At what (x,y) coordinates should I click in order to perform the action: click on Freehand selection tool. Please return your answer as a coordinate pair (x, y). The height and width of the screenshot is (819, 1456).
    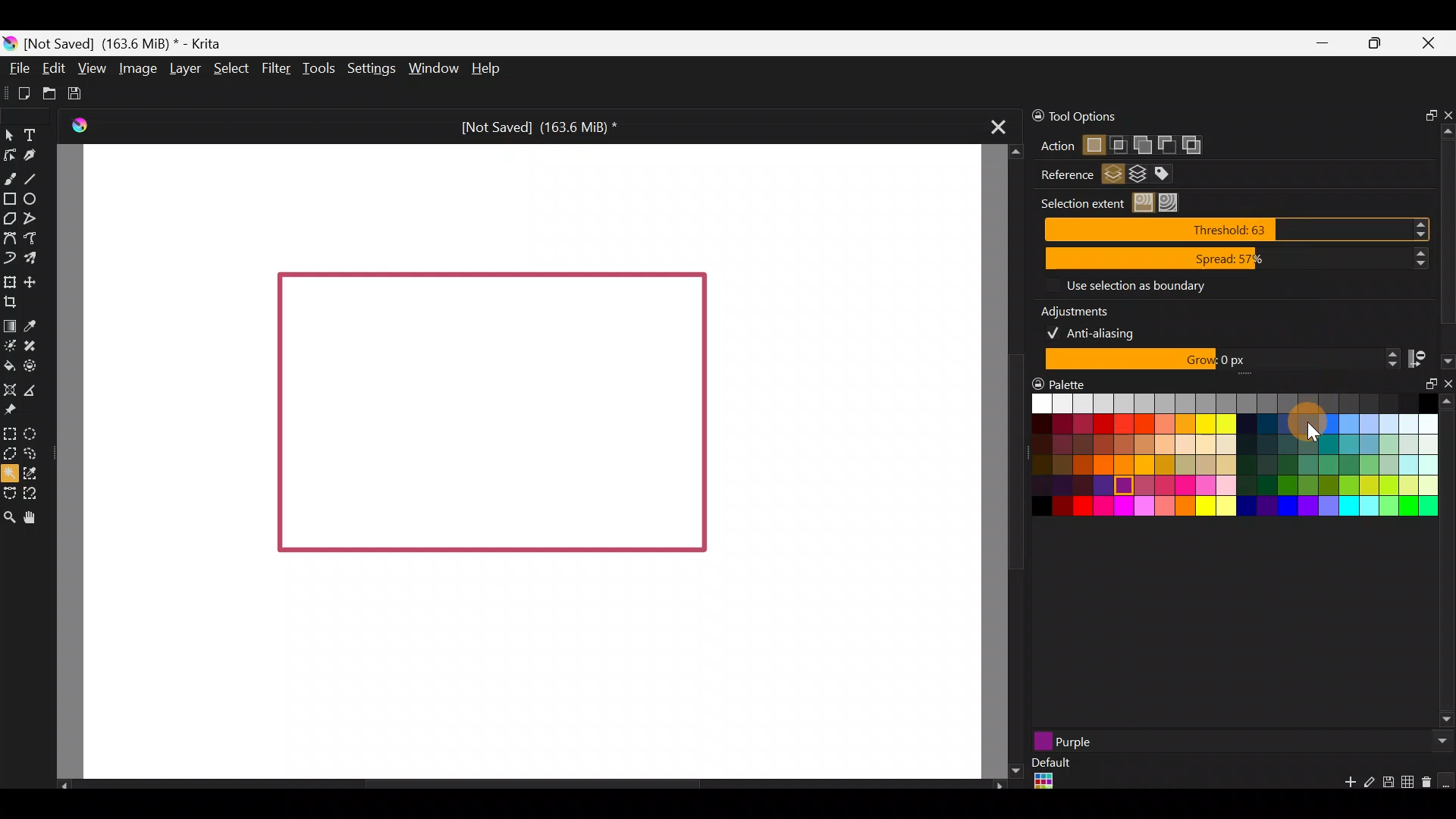
    Looking at the image, I should click on (32, 452).